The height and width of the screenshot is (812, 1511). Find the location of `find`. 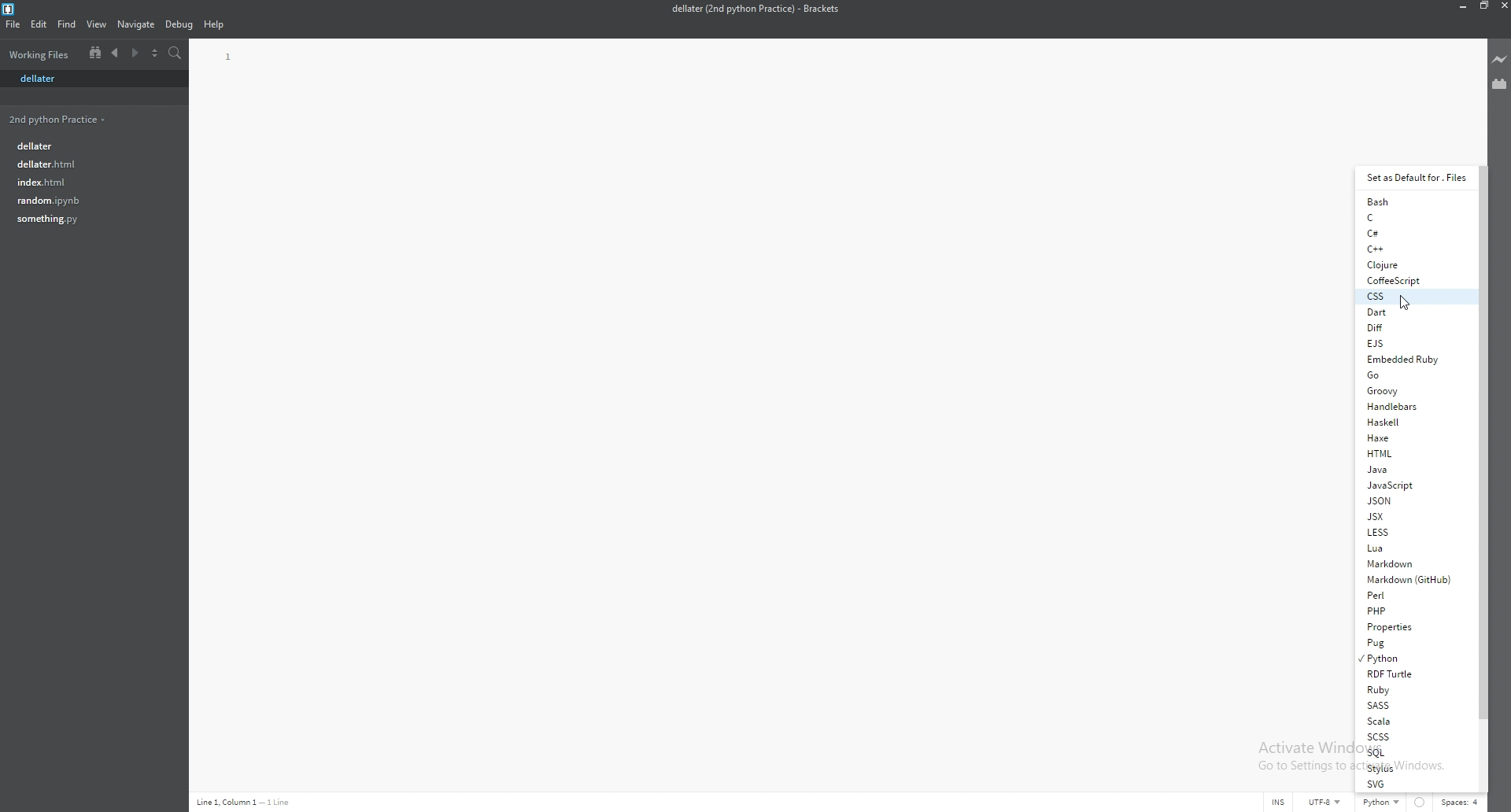

find is located at coordinates (68, 24).